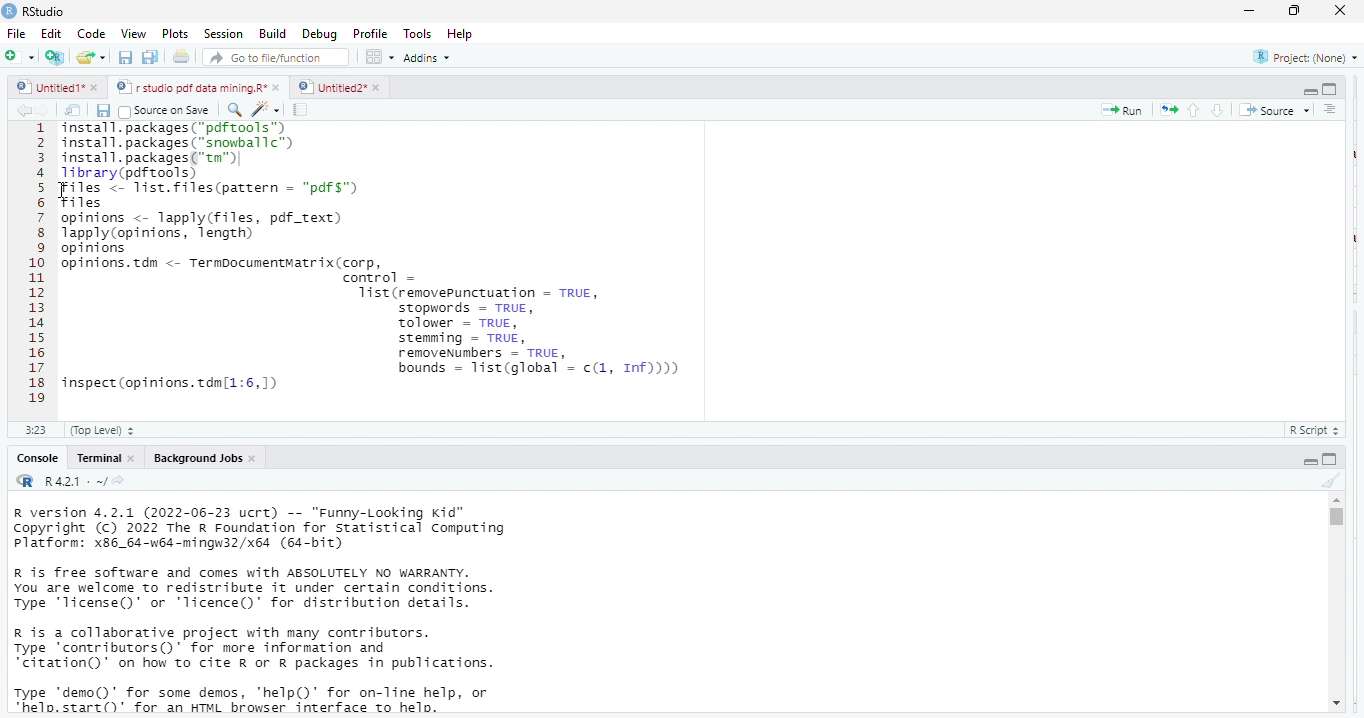  What do you see at coordinates (36, 458) in the screenshot?
I see `console` at bounding box center [36, 458].